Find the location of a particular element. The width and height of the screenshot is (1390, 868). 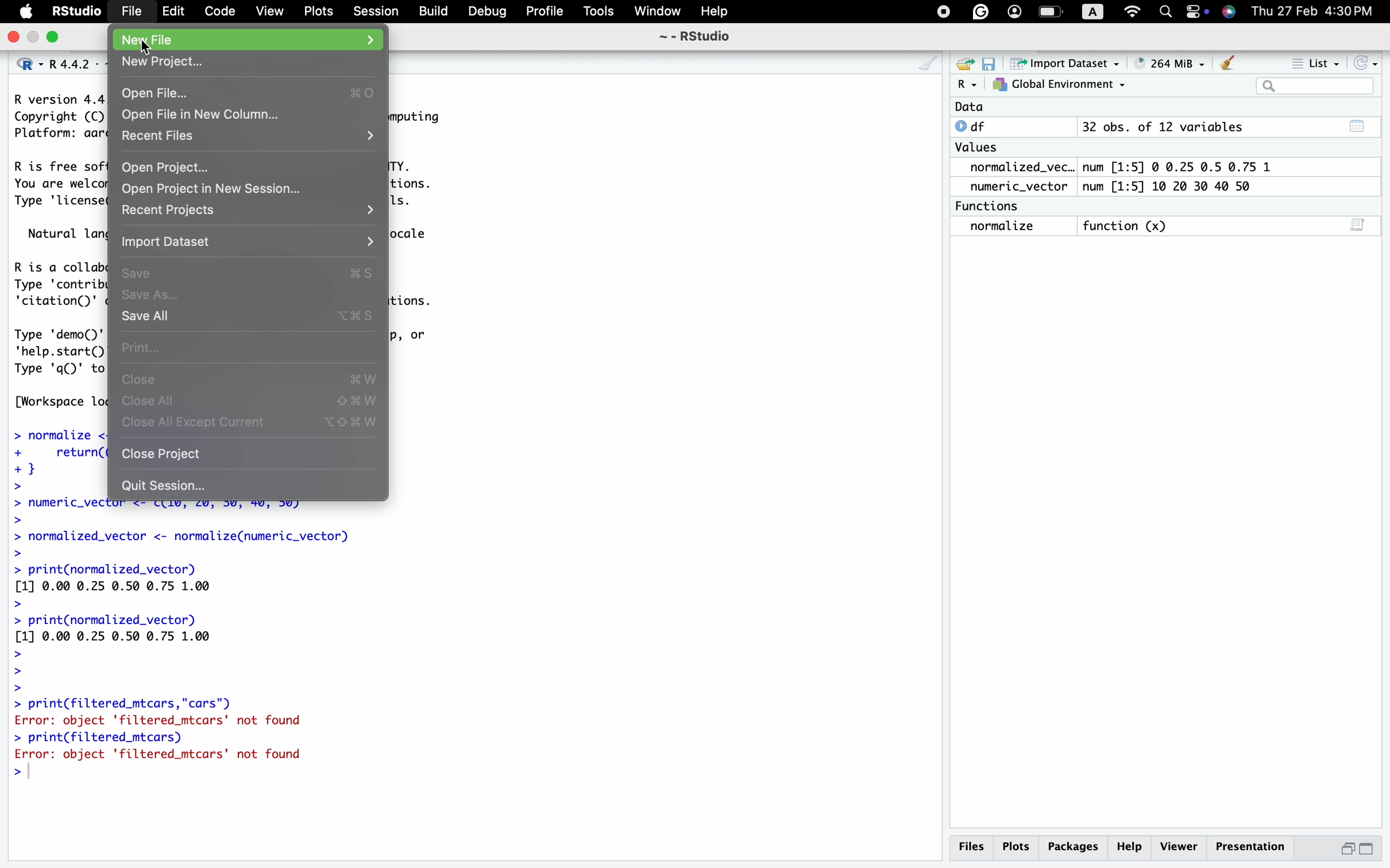

close is located at coordinates (10, 37).